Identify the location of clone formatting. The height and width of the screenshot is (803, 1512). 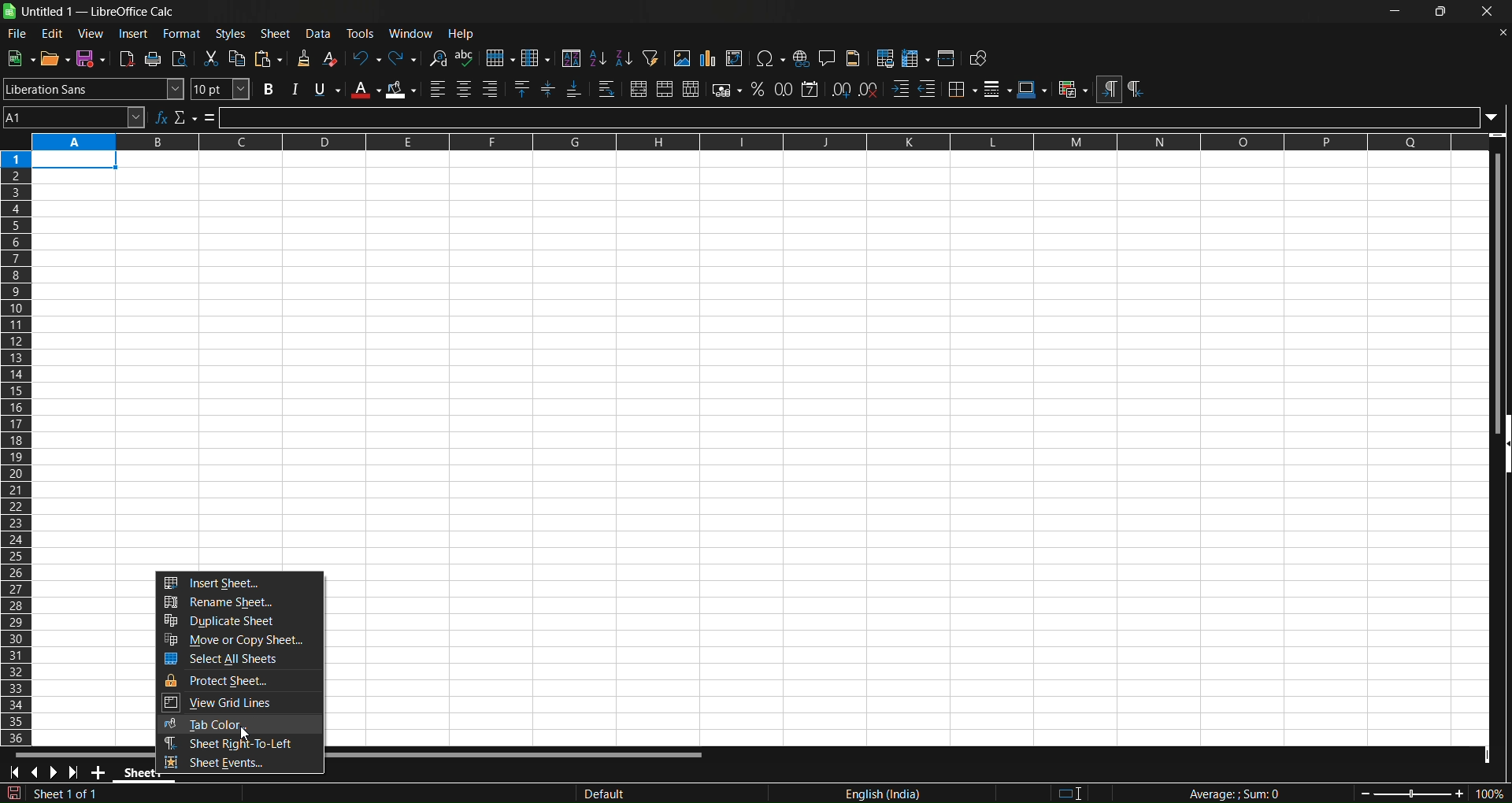
(302, 59).